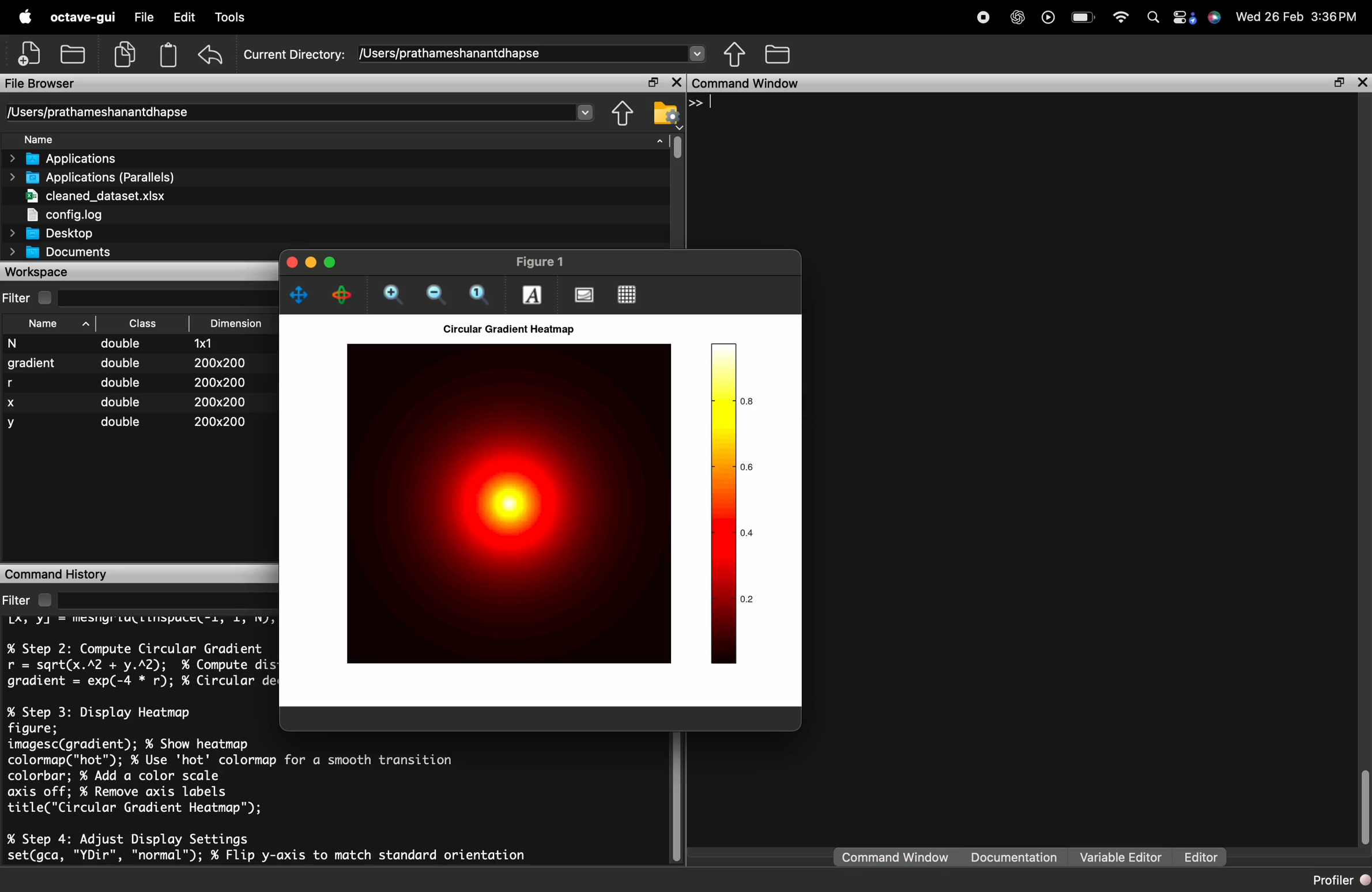 Image resolution: width=1372 pixels, height=892 pixels. Describe the element at coordinates (74, 140) in the screenshot. I see `Name` at that location.